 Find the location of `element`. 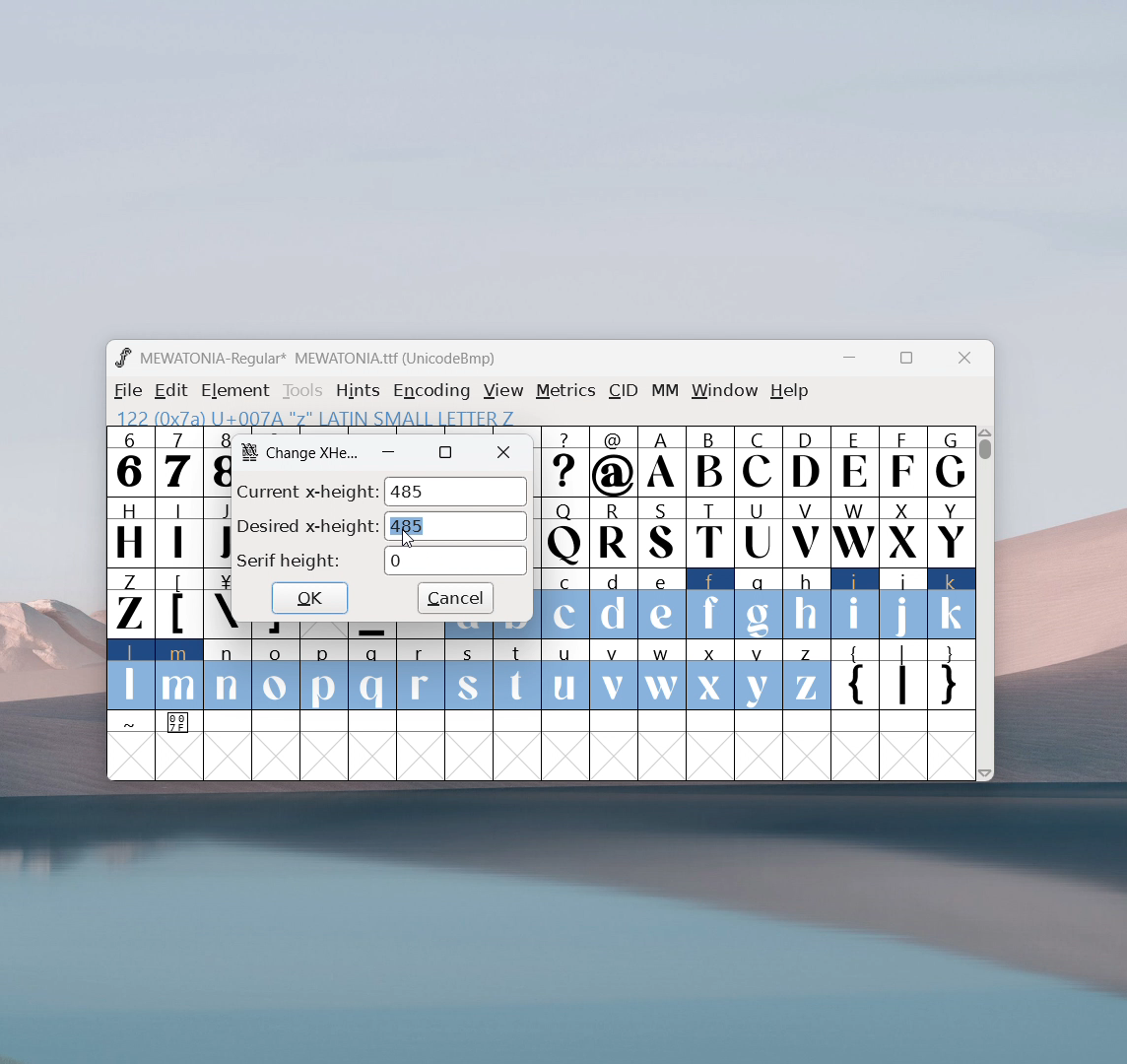

element is located at coordinates (235, 391).